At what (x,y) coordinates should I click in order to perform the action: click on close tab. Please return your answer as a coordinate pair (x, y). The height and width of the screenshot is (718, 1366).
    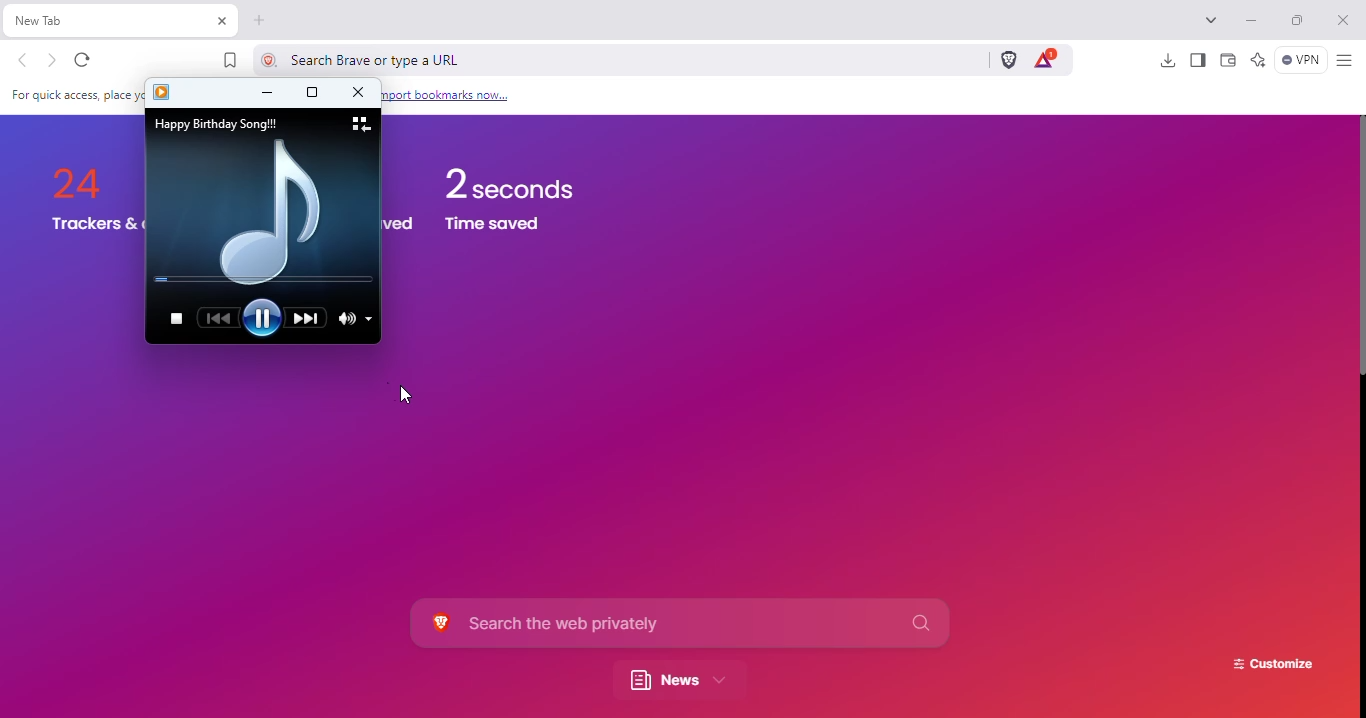
    Looking at the image, I should click on (222, 21).